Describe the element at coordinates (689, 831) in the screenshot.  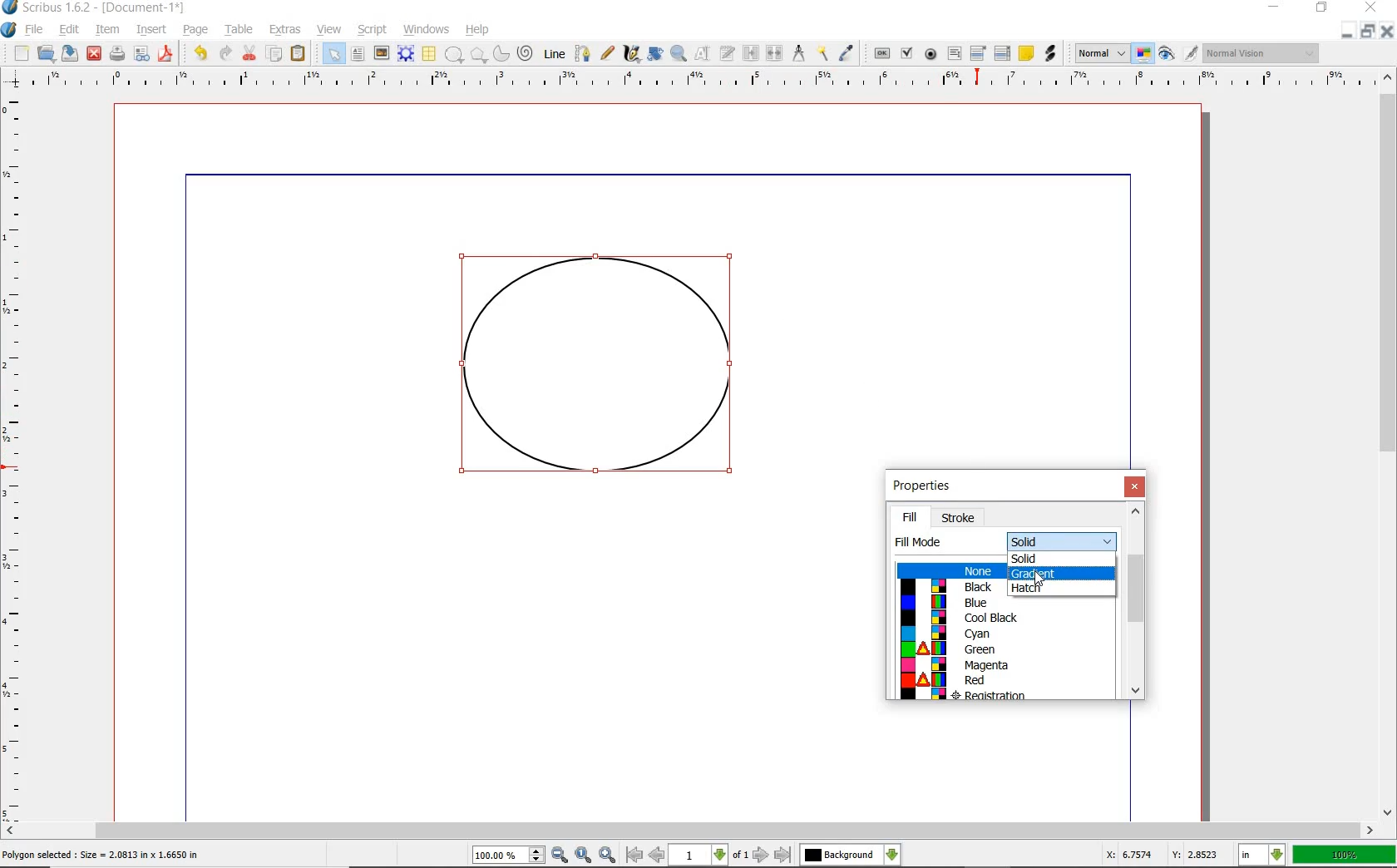
I see `SCROLLBAR` at that location.